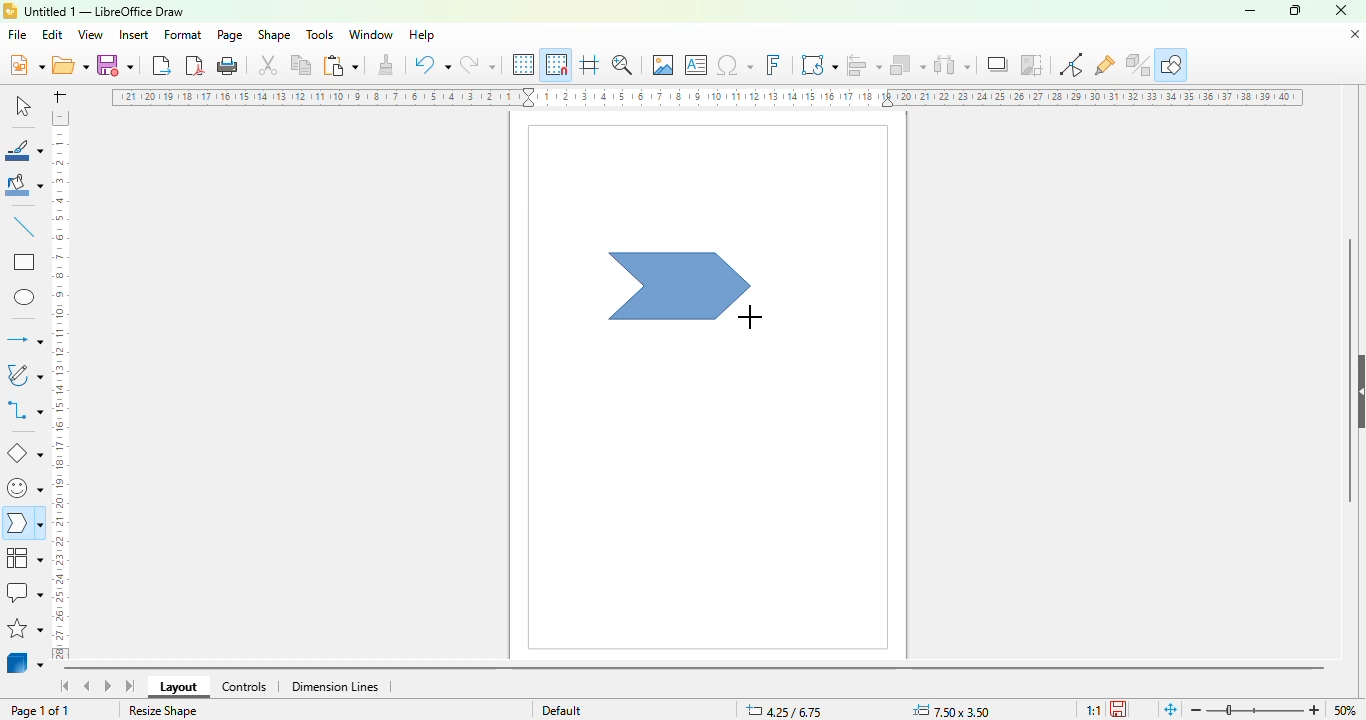  I want to click on crop image, so click(1031, 64).